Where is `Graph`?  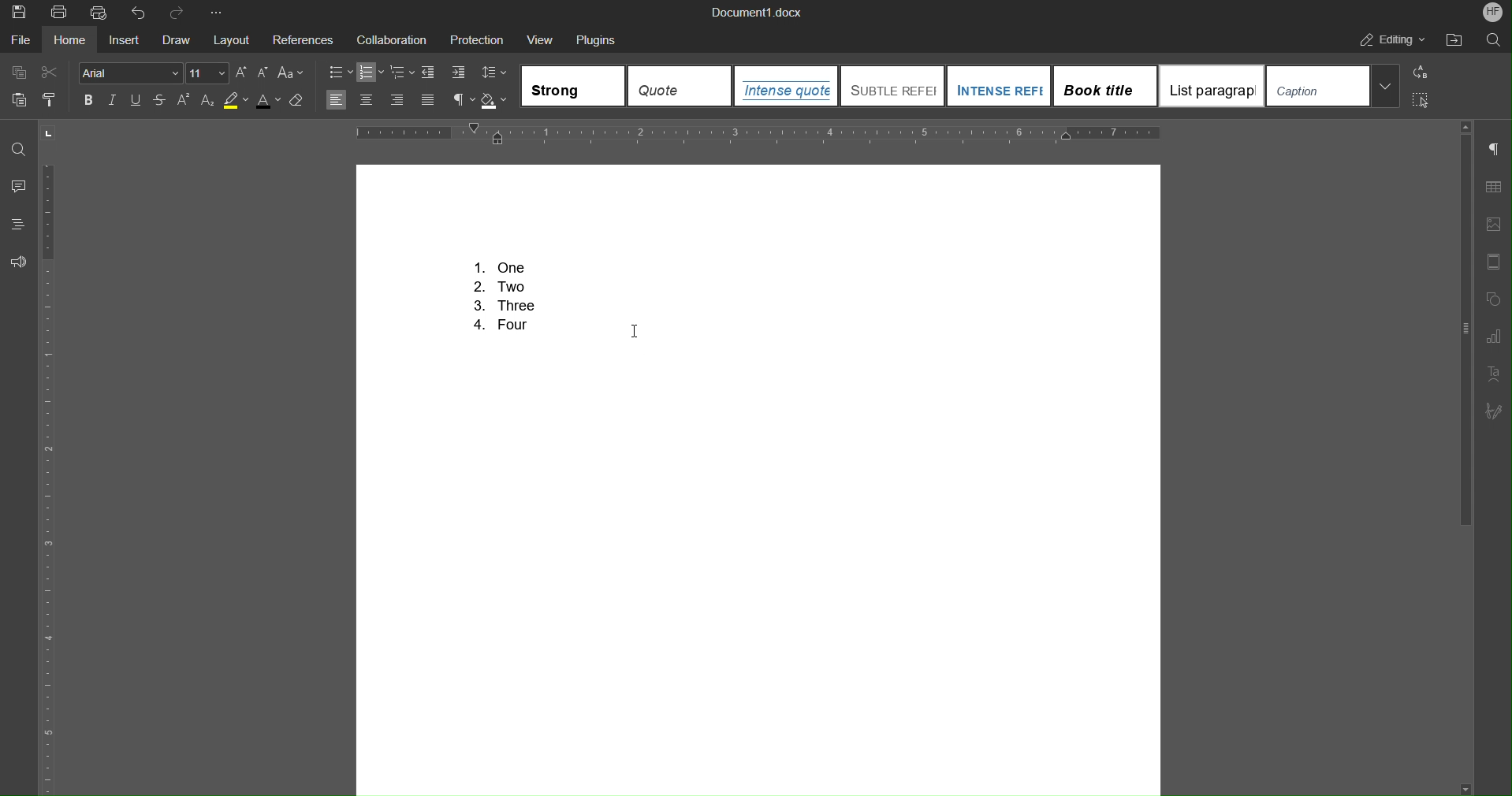 Graph is located at coordinates (1492, 337).